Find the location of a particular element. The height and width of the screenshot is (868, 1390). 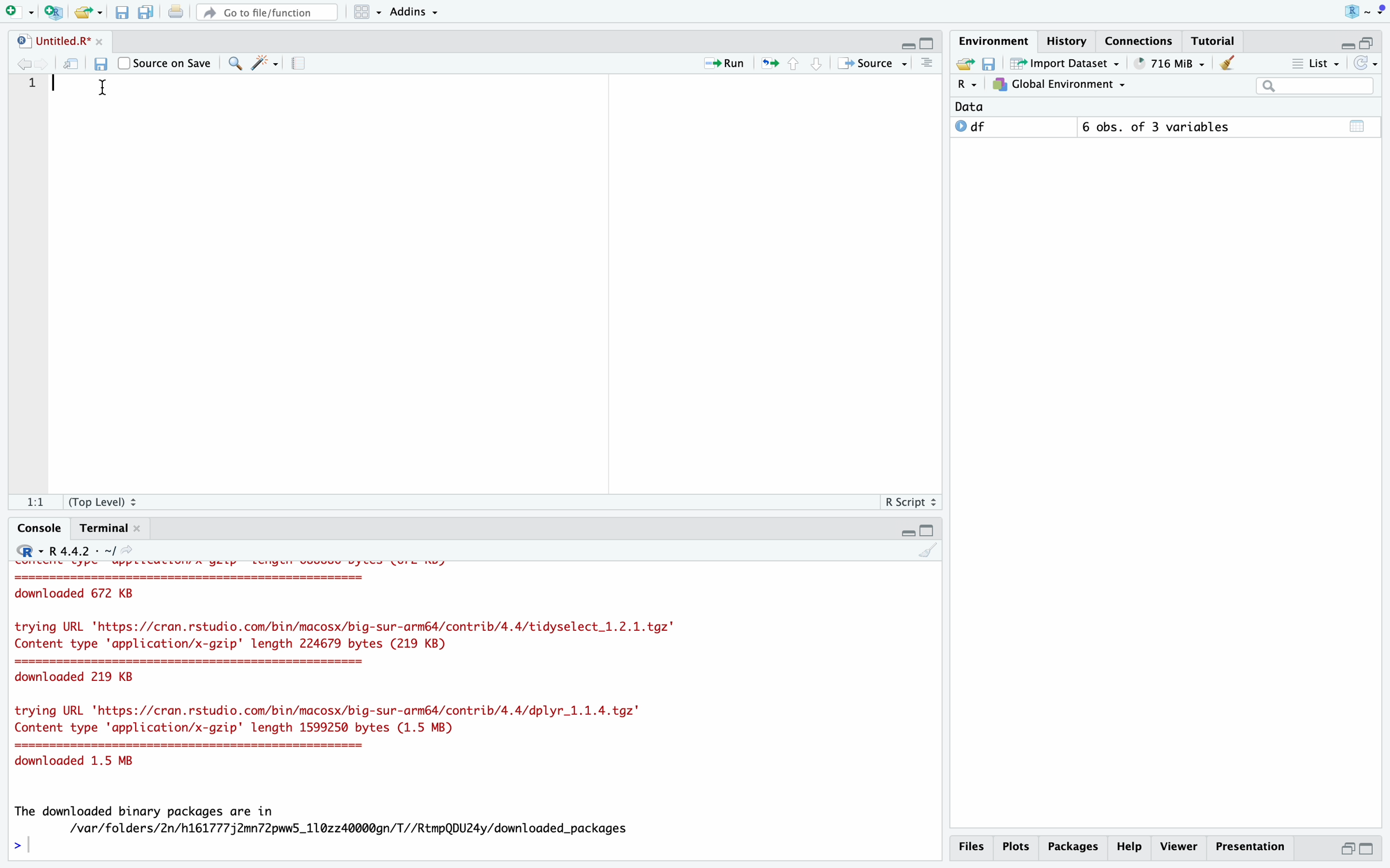

> # View the result

> print(grouped_df)

Error: object 'grouped_df' not found
> cle

Error: object 'clc' not found

> clear

Error: object 'clear' not found

> cls

Error: object 'cls' not found is located at coordinates (473, 711).